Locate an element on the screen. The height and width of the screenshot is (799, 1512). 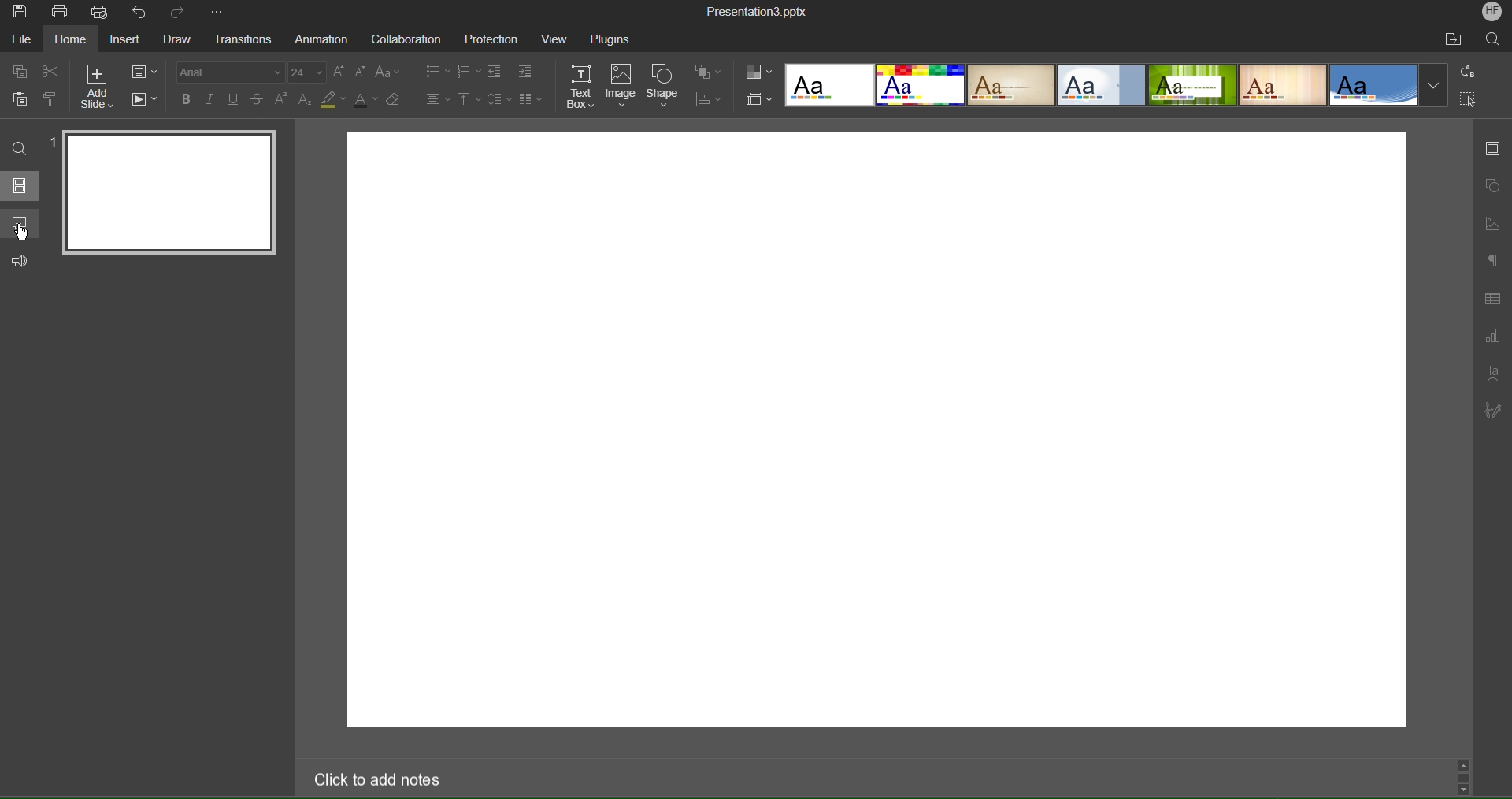
Text Art is located at coordinates (1492, 373).